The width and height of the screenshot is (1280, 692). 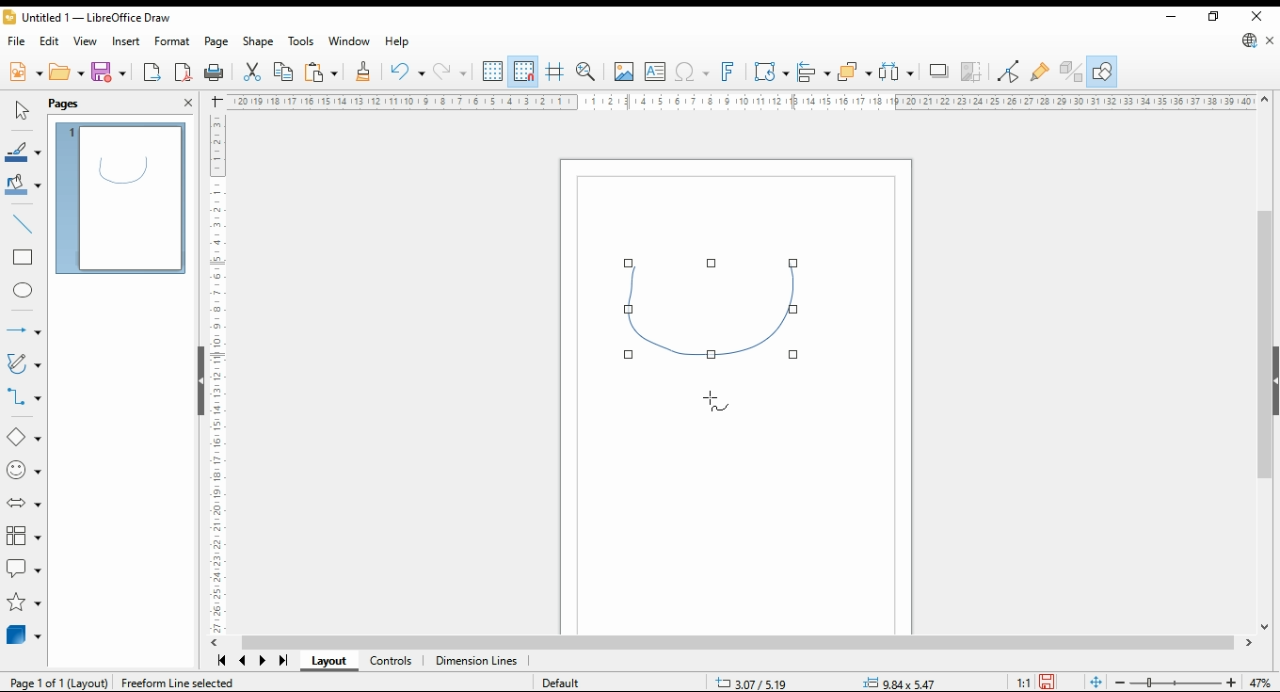 What do you see at coordinates (398, 41) in the screenshot?
I see `help` at bounding box center [398, 41].